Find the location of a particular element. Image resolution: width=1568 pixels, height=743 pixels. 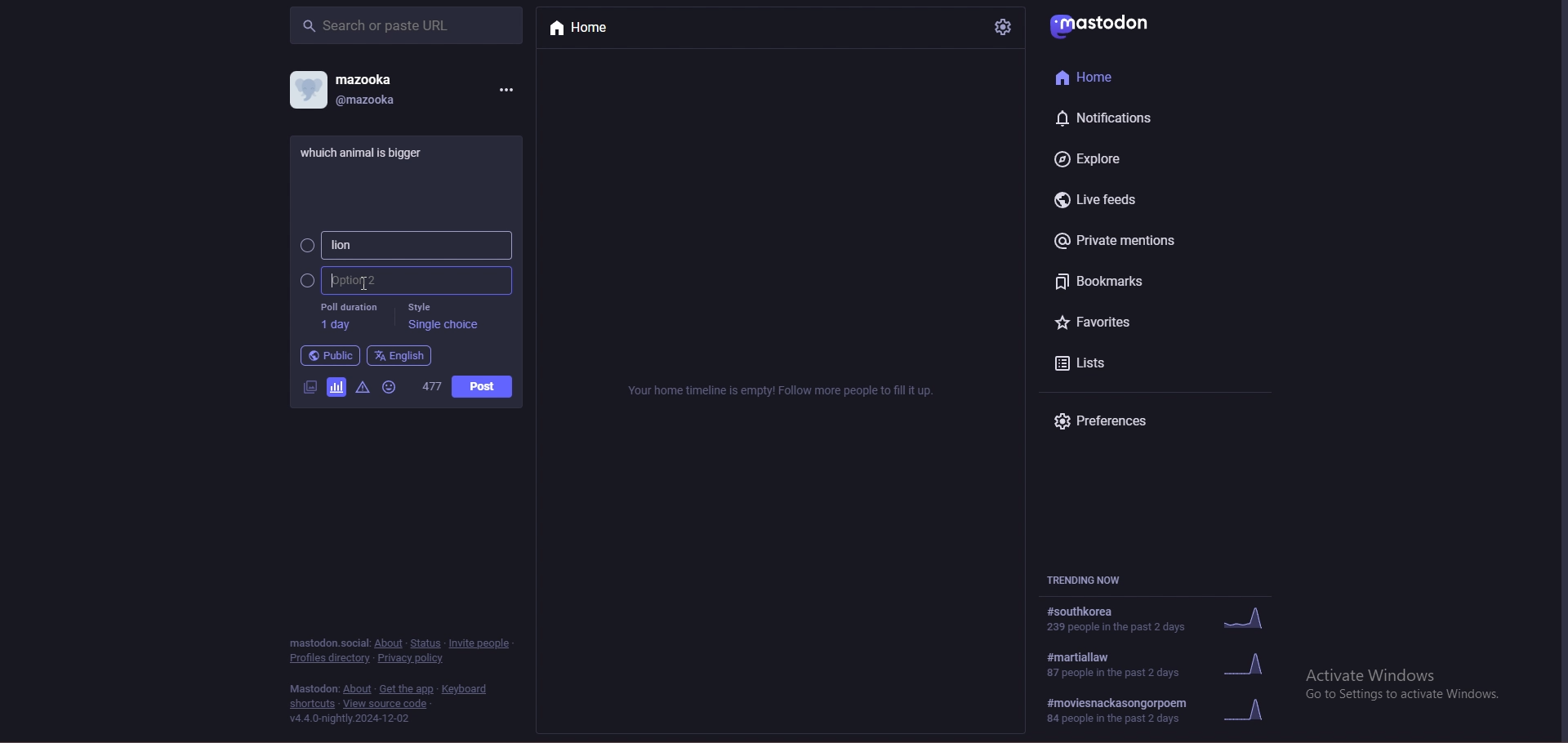

@mazooka is located at coordinates (371, 100).